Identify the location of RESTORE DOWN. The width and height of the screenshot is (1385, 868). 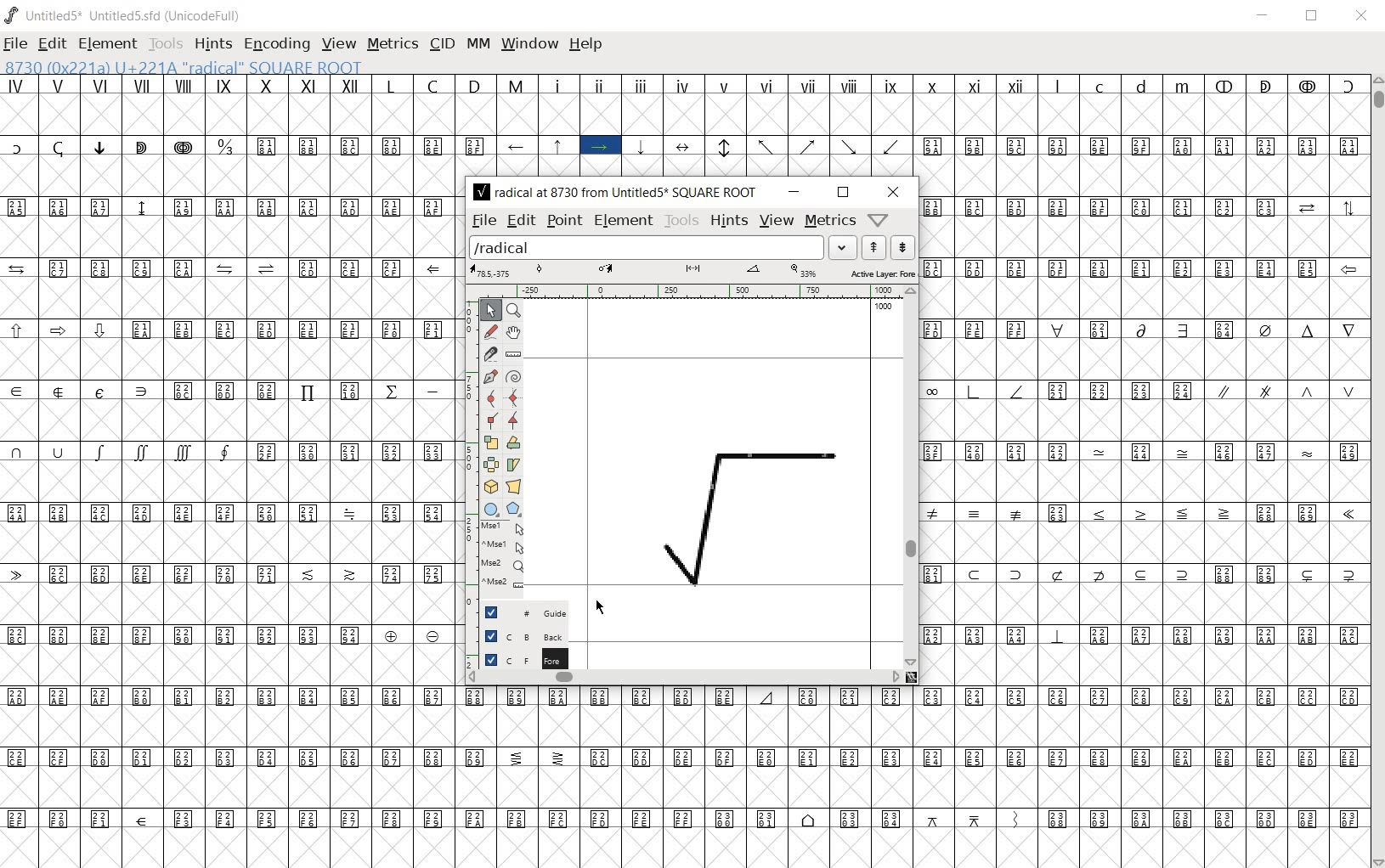
(1313, 16).